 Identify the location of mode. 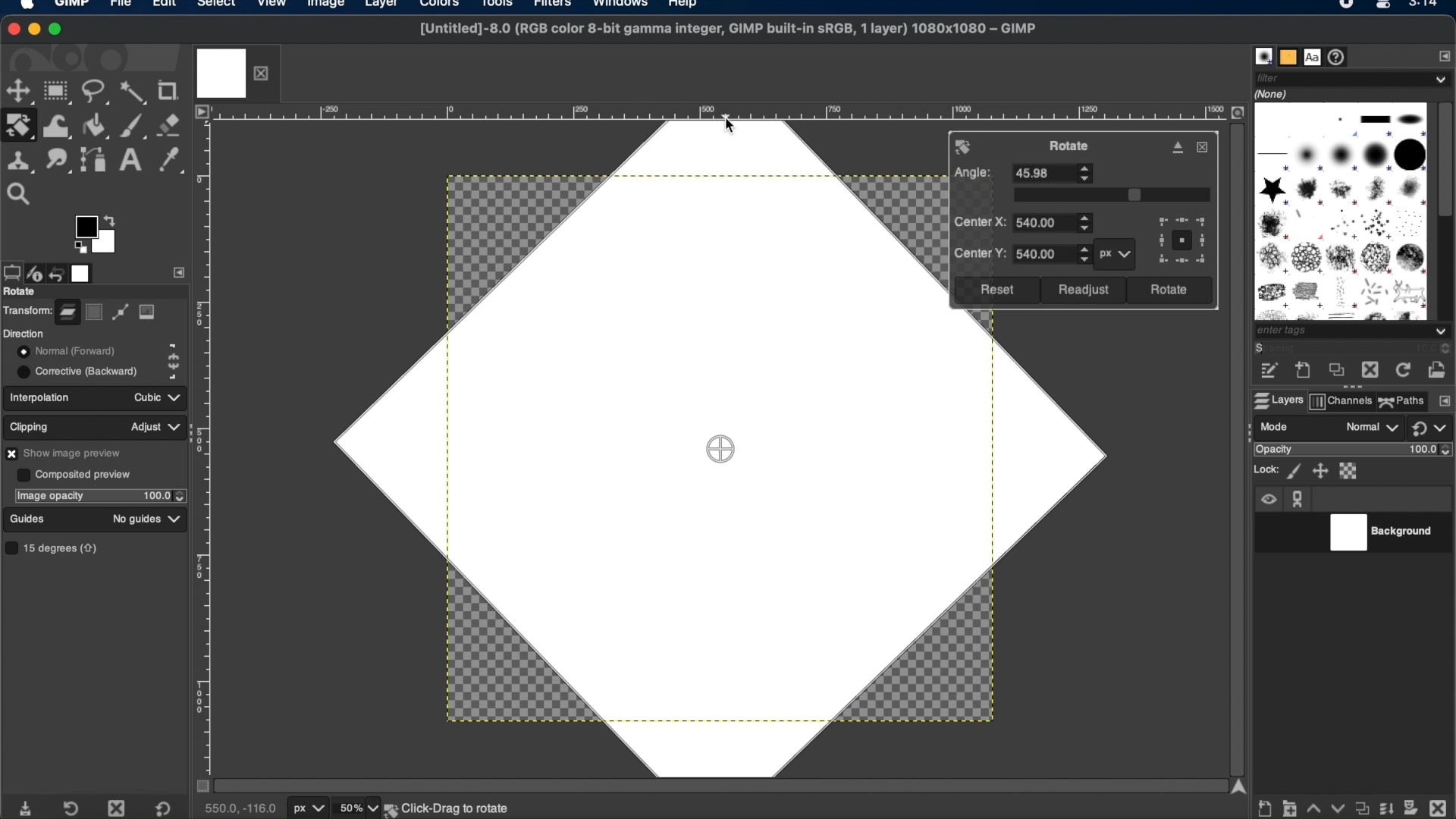
(1276, 426).